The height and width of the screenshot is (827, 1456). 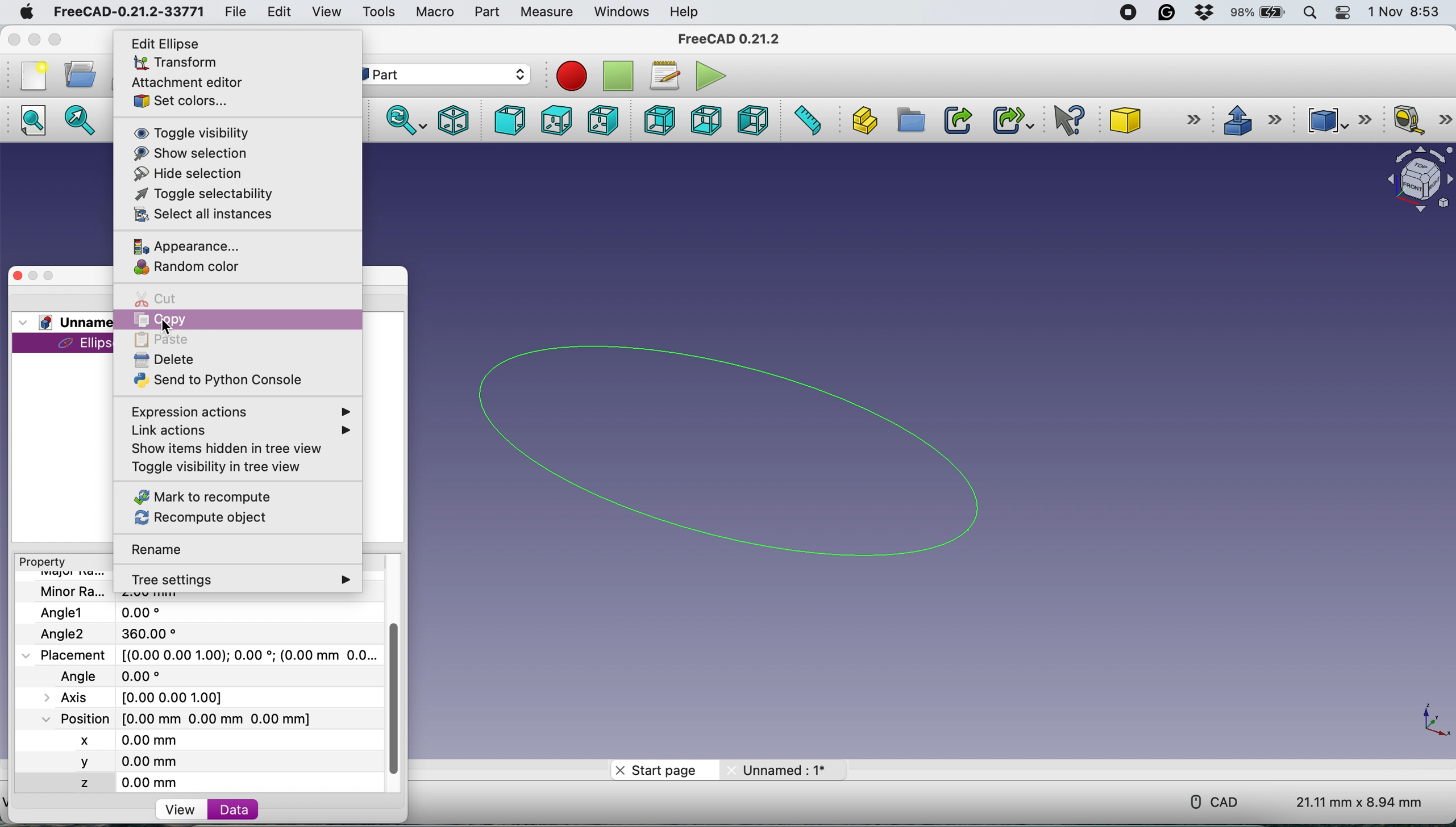 What do you see at coordinates (80, 74) in the screenshot?
I see `open` at bounding box center [80, 74].